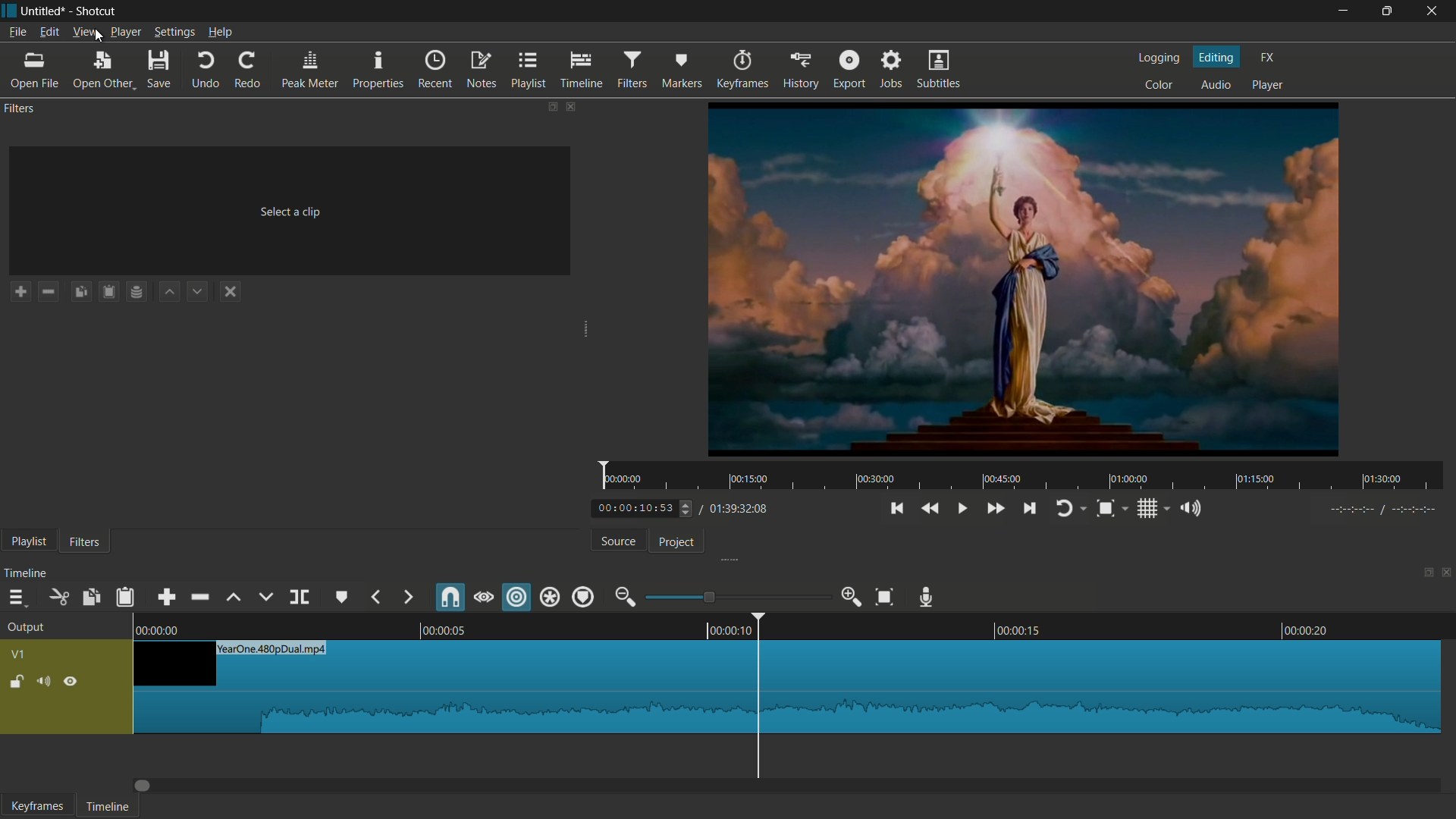 The height and width of the screenshot is (819, 1456). What do you see at coordinates (617, 542) in the screenshot?
I see `source` at bounding box center [617, 542].